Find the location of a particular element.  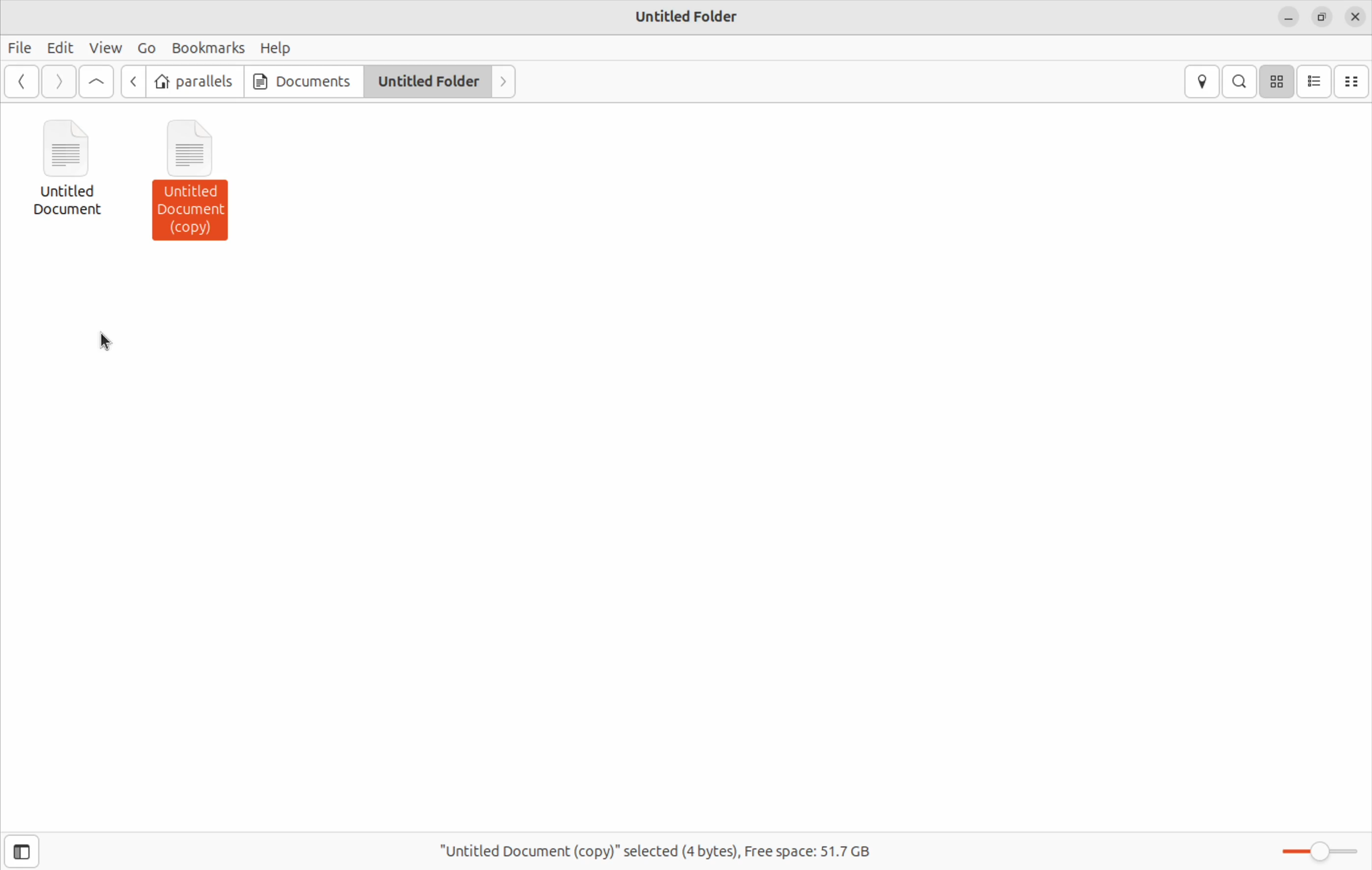

Untitled Folder is located at coordinates (421, 81).